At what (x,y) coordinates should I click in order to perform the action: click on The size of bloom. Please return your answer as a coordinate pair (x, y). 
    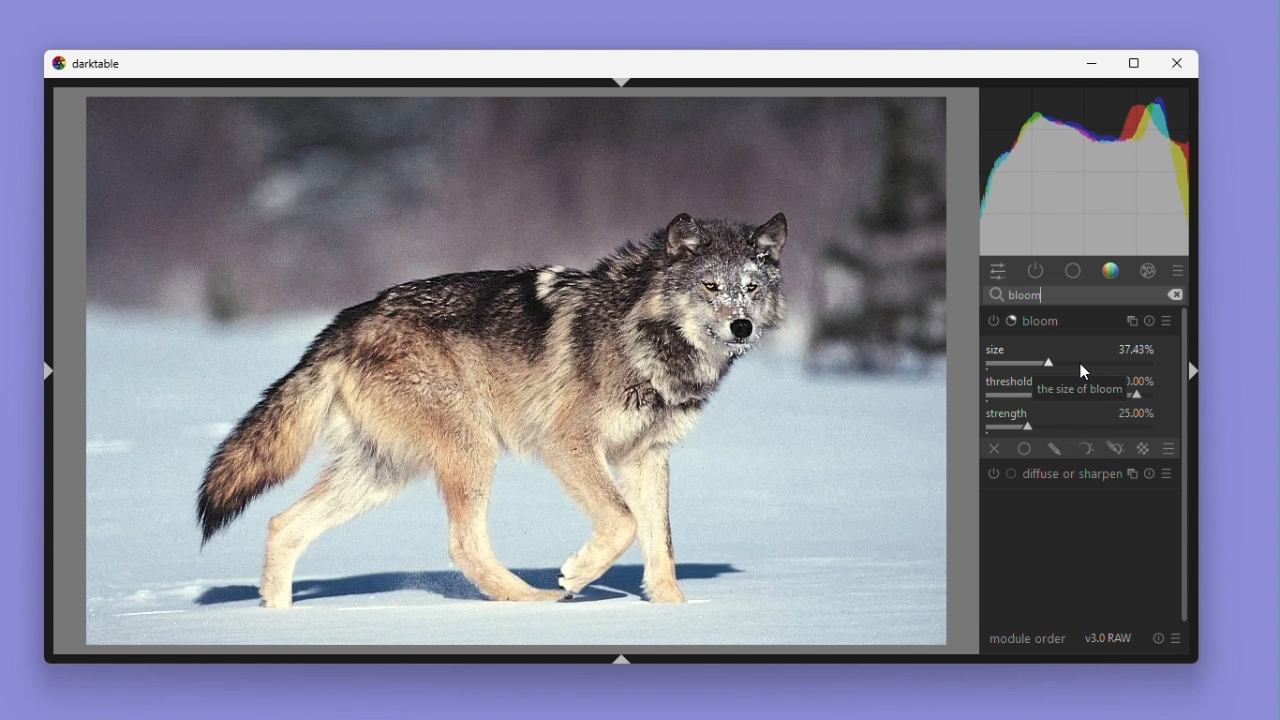
    Looking at the image, I should click on (1080, 388).